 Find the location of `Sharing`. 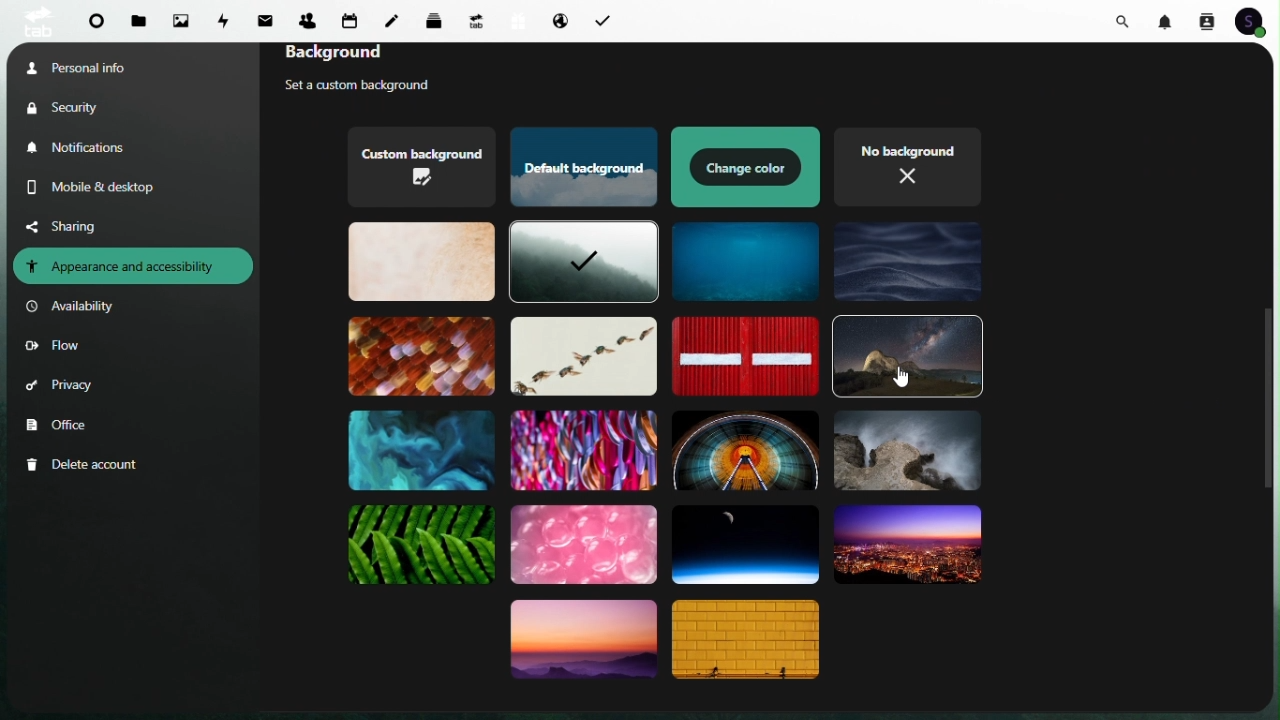

Sharing is located at coordinates (77, 225).